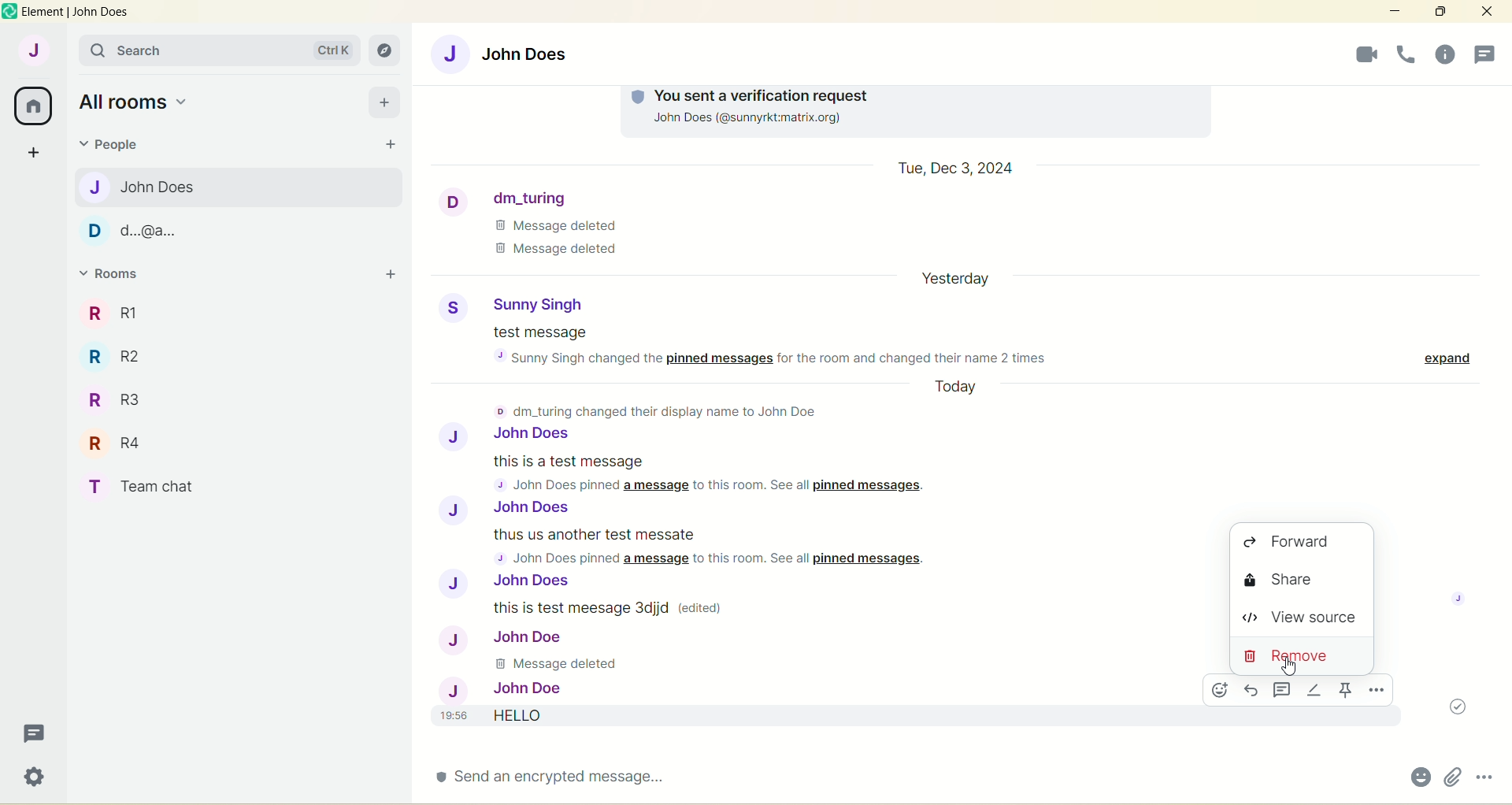 The width and height of the screenshot is (1512, 805). I want to click on thus us another test messate
5 John Does pinned a message to this room. See all pinned messages., so click(715, 547).